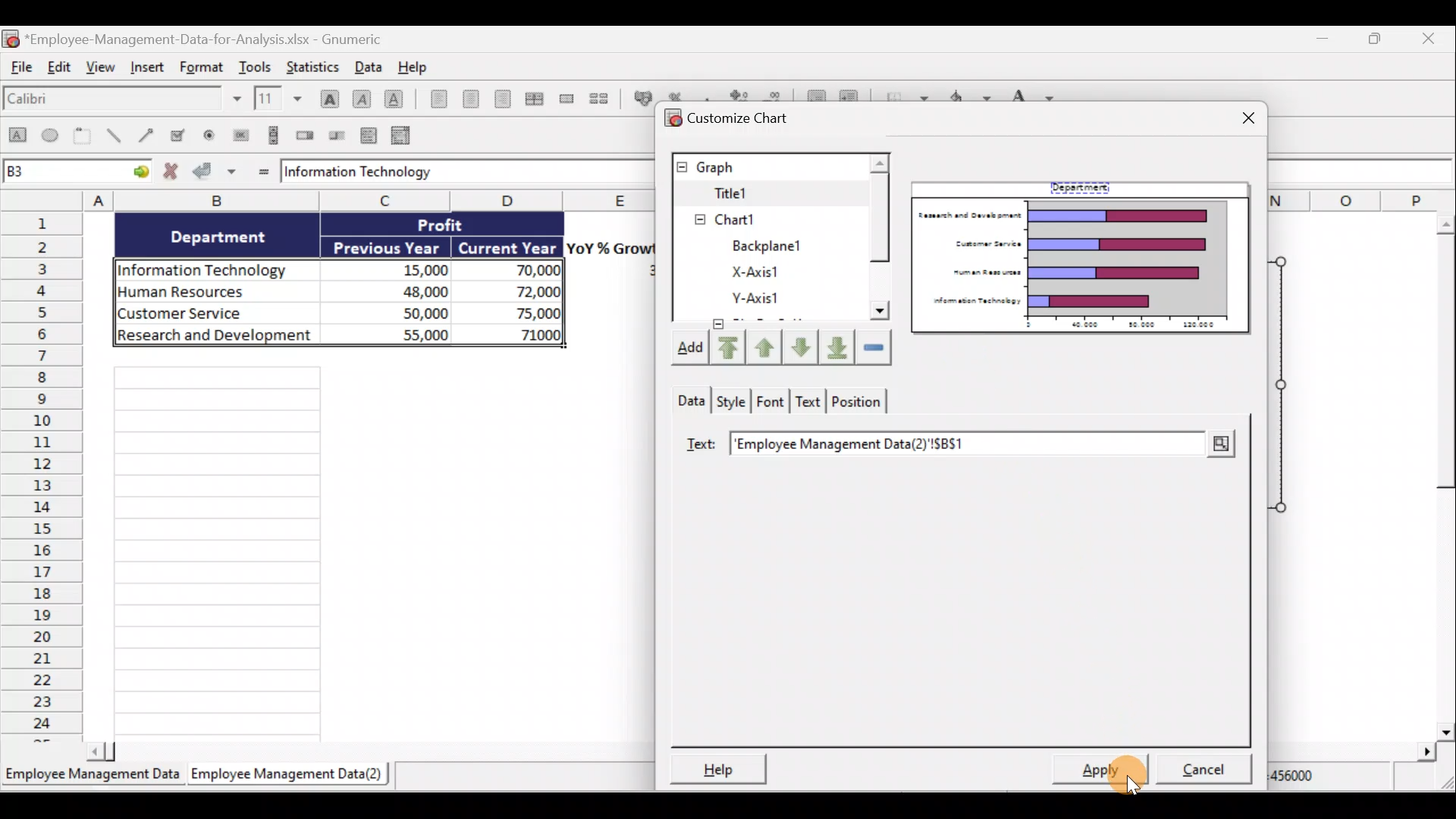 The width and height of the screenshot is (1456, 819). I want to click on Help, so click(413, 66).